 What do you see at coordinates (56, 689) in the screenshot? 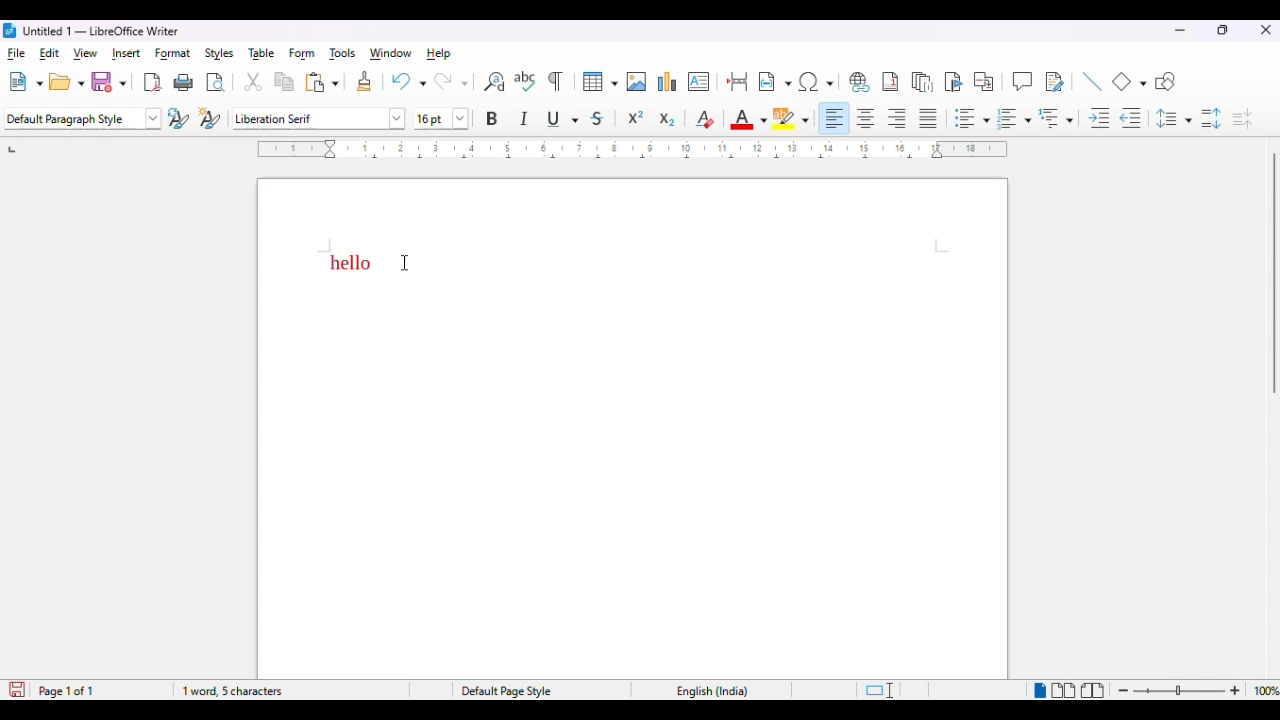
I see ` Paget 1 of 1` at bounding box center [56, 689].